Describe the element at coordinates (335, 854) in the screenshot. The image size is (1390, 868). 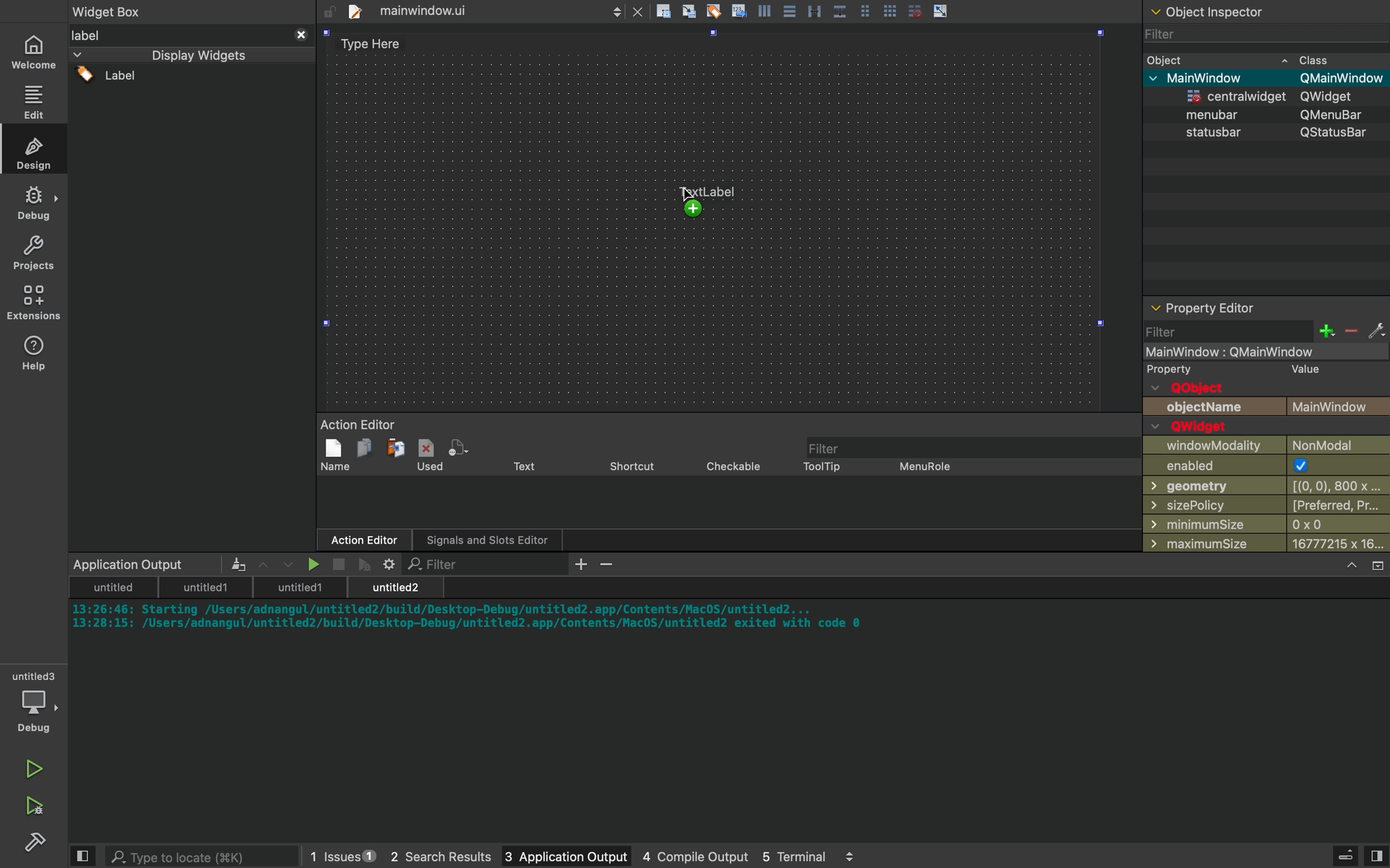
I see `1 issues` at that location.